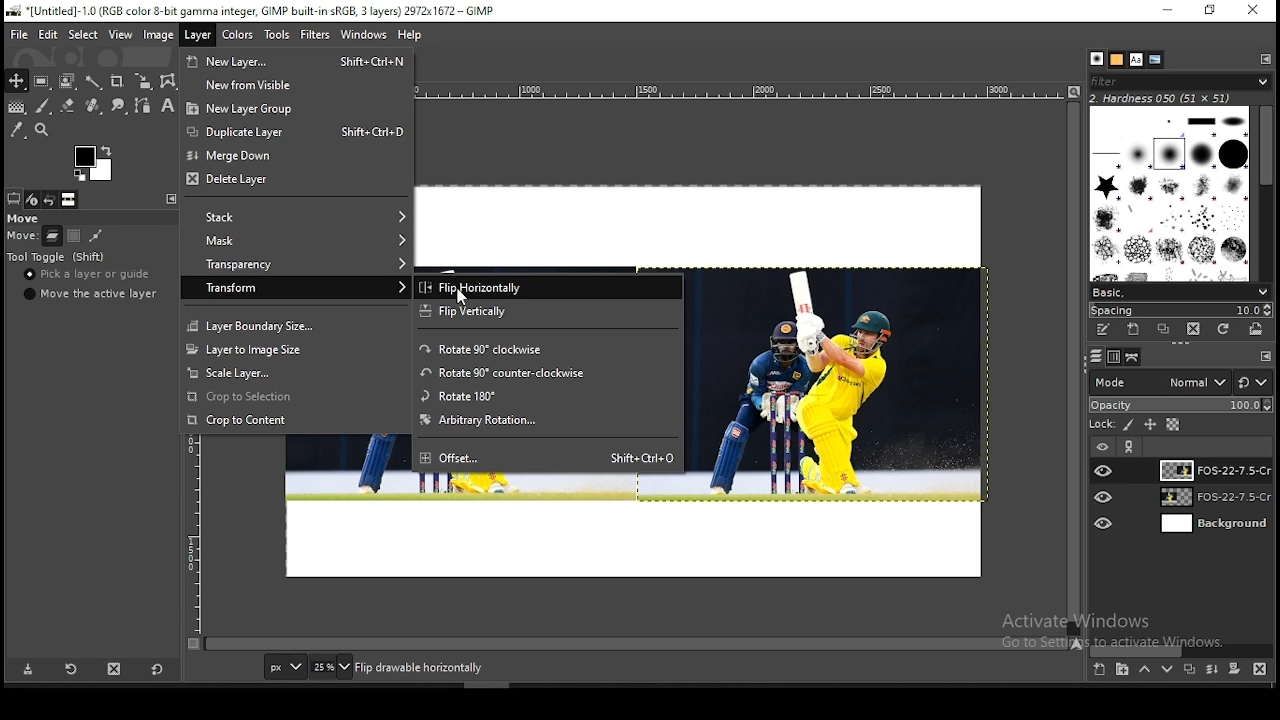  Describe the element at coordinates (116, 106) in the screenshot. I see `smudge tool` at that location.